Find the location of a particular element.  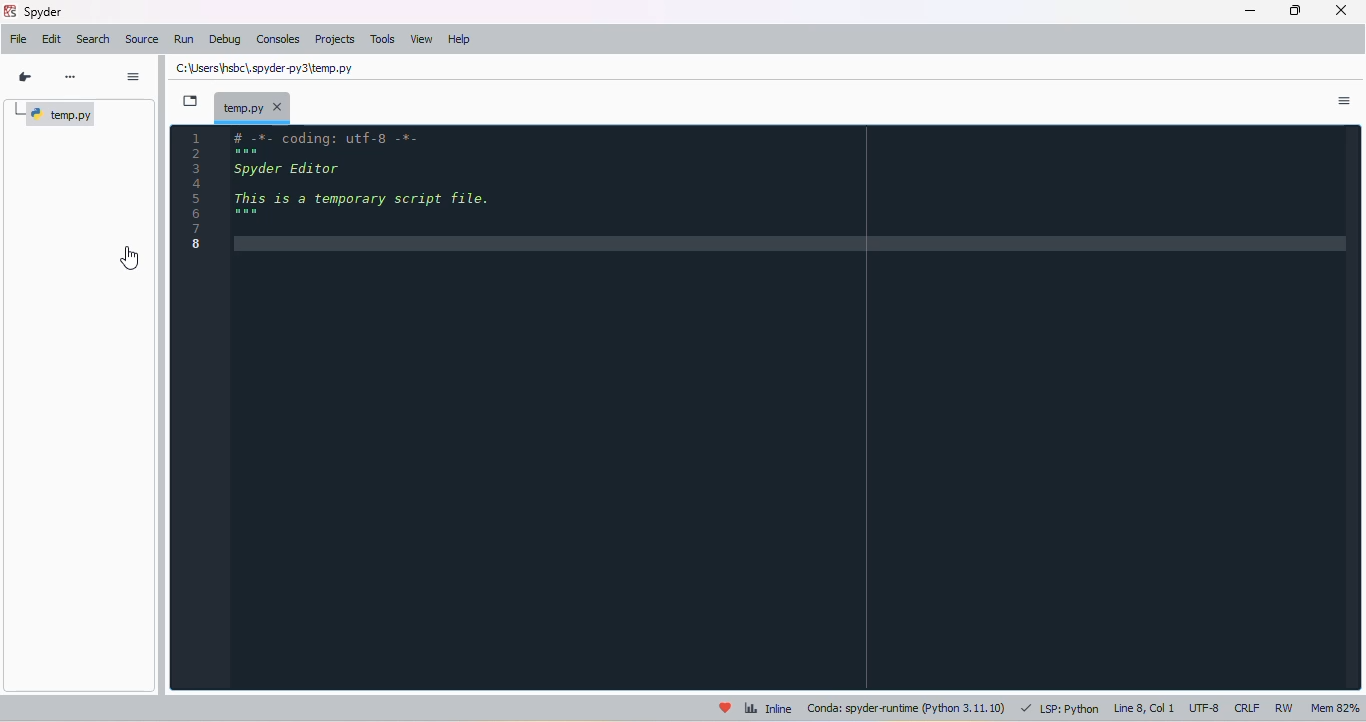

search is located at coordinates (94, 40).